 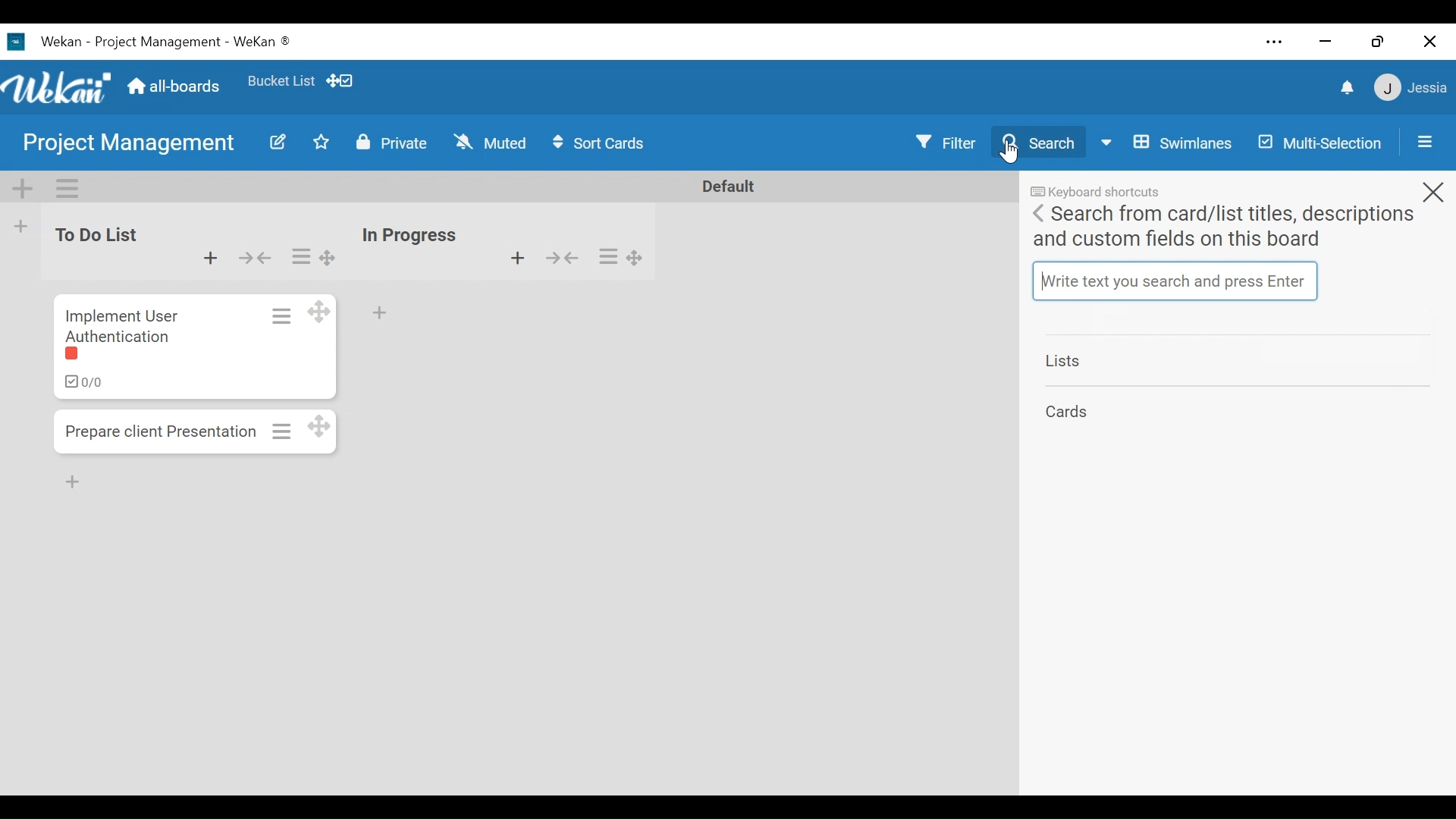 I want to click on Filter, so click(x=944, y=141).